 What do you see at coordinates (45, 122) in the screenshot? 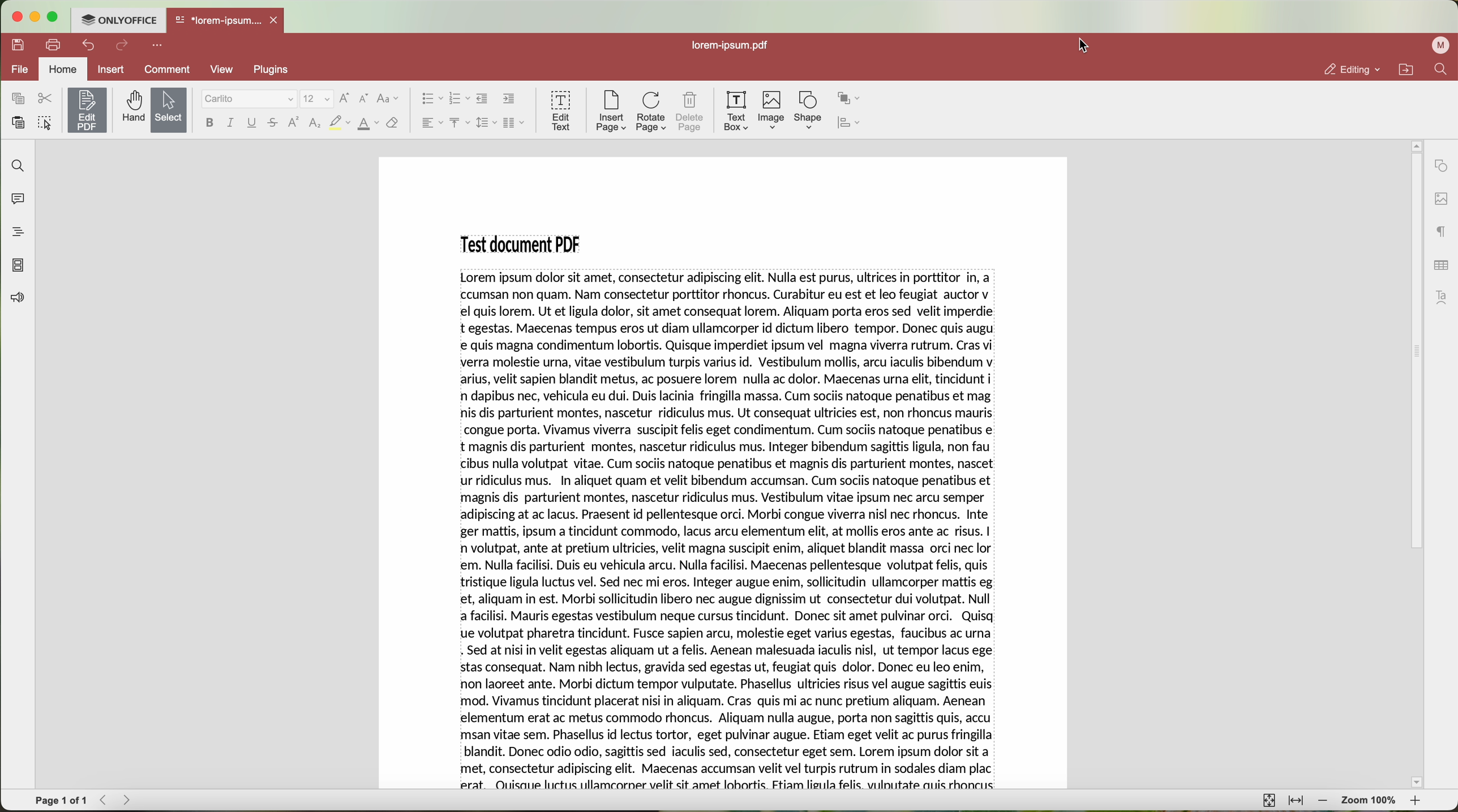
I see `select all` at bounding box center [45, 122].